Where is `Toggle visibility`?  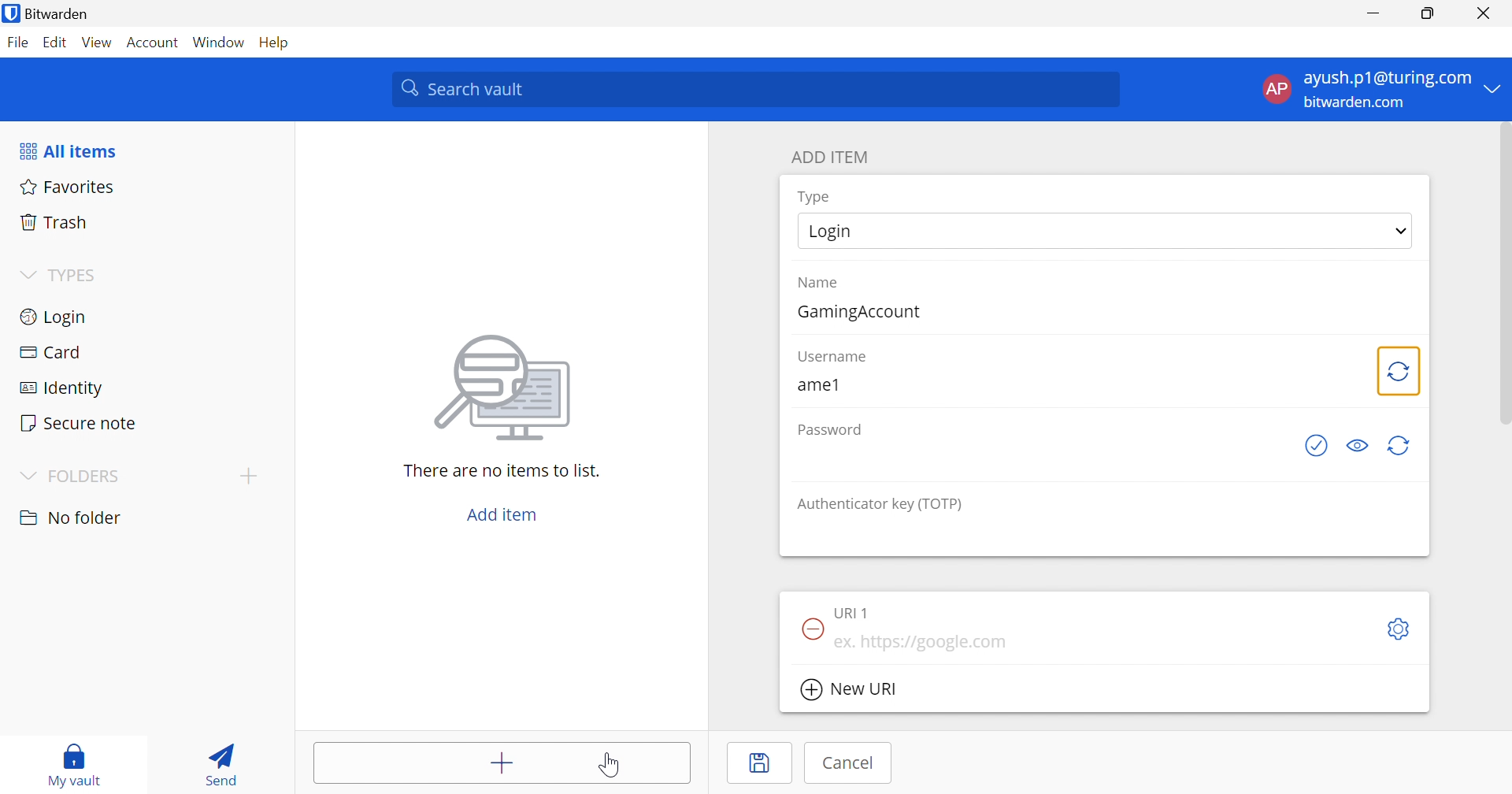
Toggle visibility is located at coordinates (1362, 445).